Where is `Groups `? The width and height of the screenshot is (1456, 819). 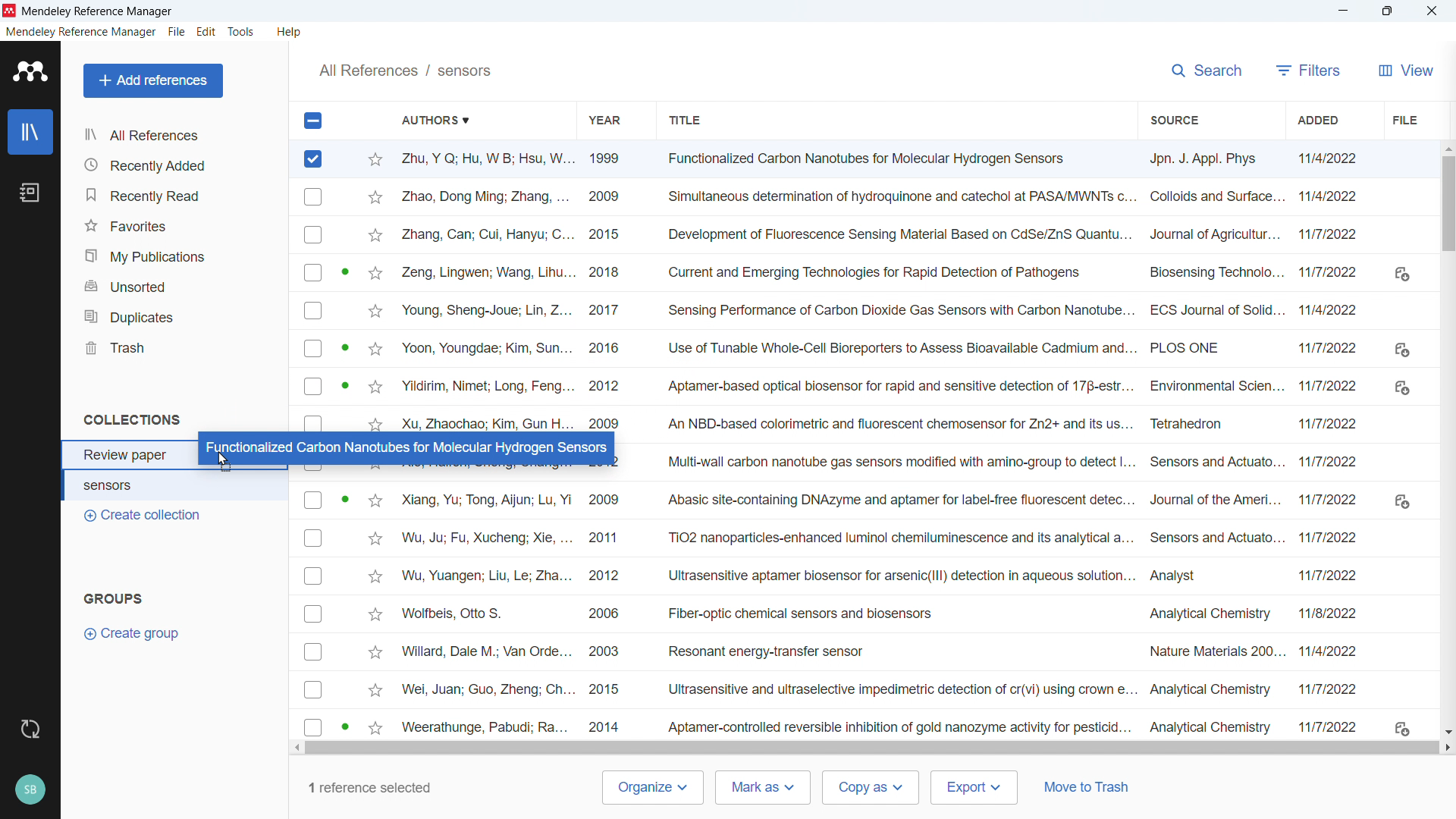 Groups  is located at coordinates (117, 598).